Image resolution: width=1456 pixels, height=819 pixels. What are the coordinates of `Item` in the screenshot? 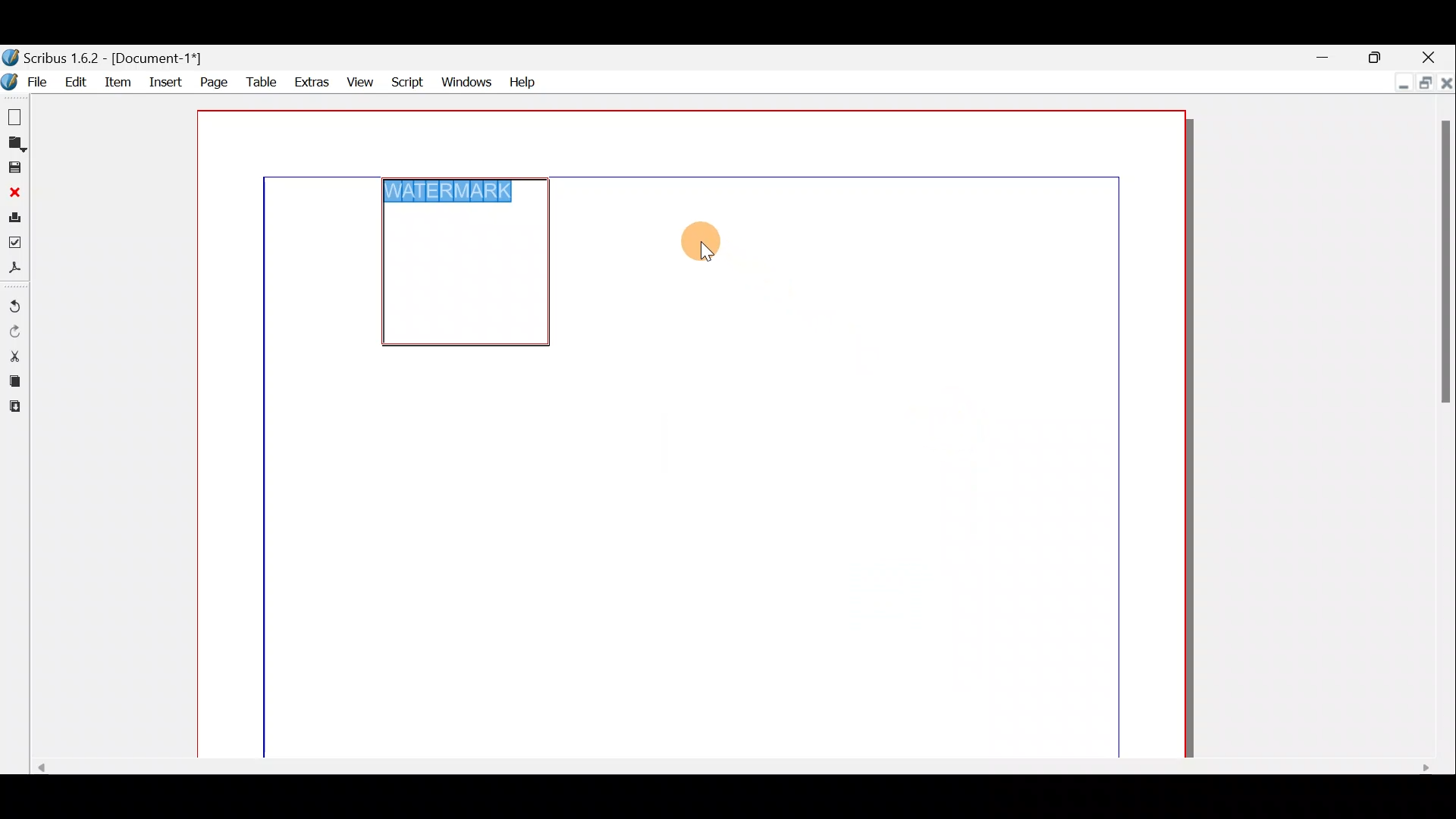 It's located at (121, 81).